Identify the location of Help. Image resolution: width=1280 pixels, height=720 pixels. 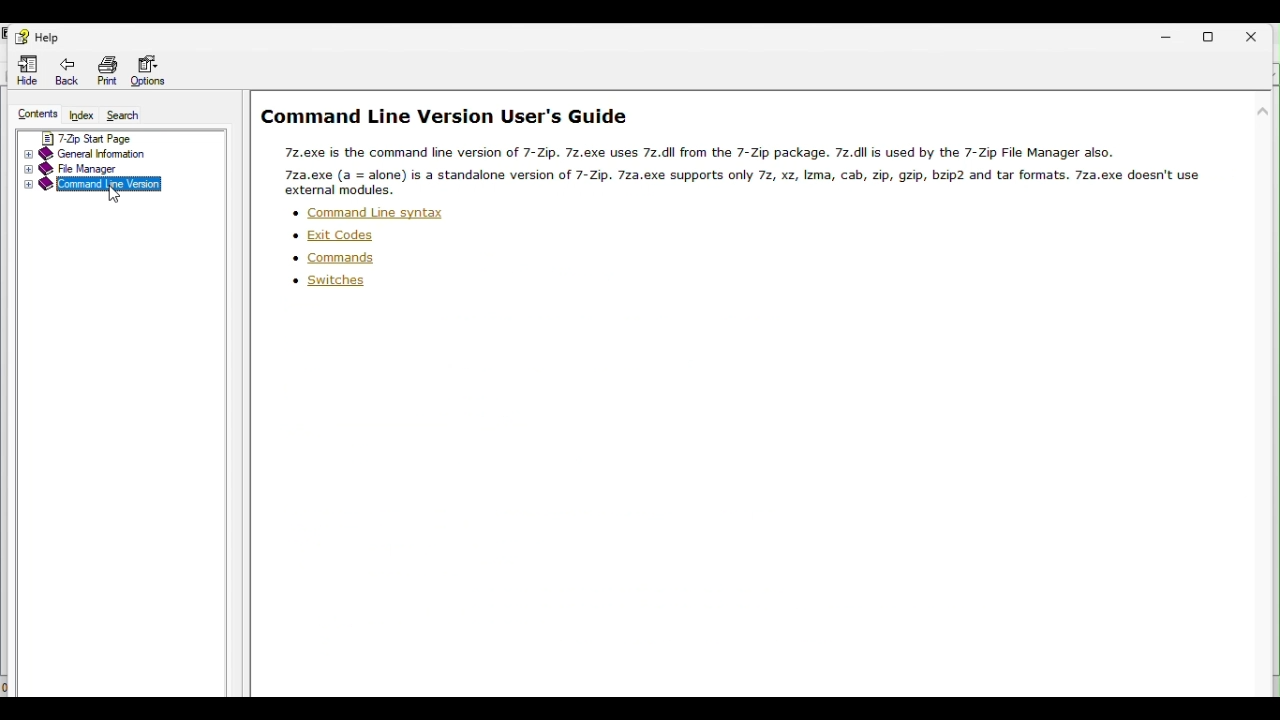
(43, 36).